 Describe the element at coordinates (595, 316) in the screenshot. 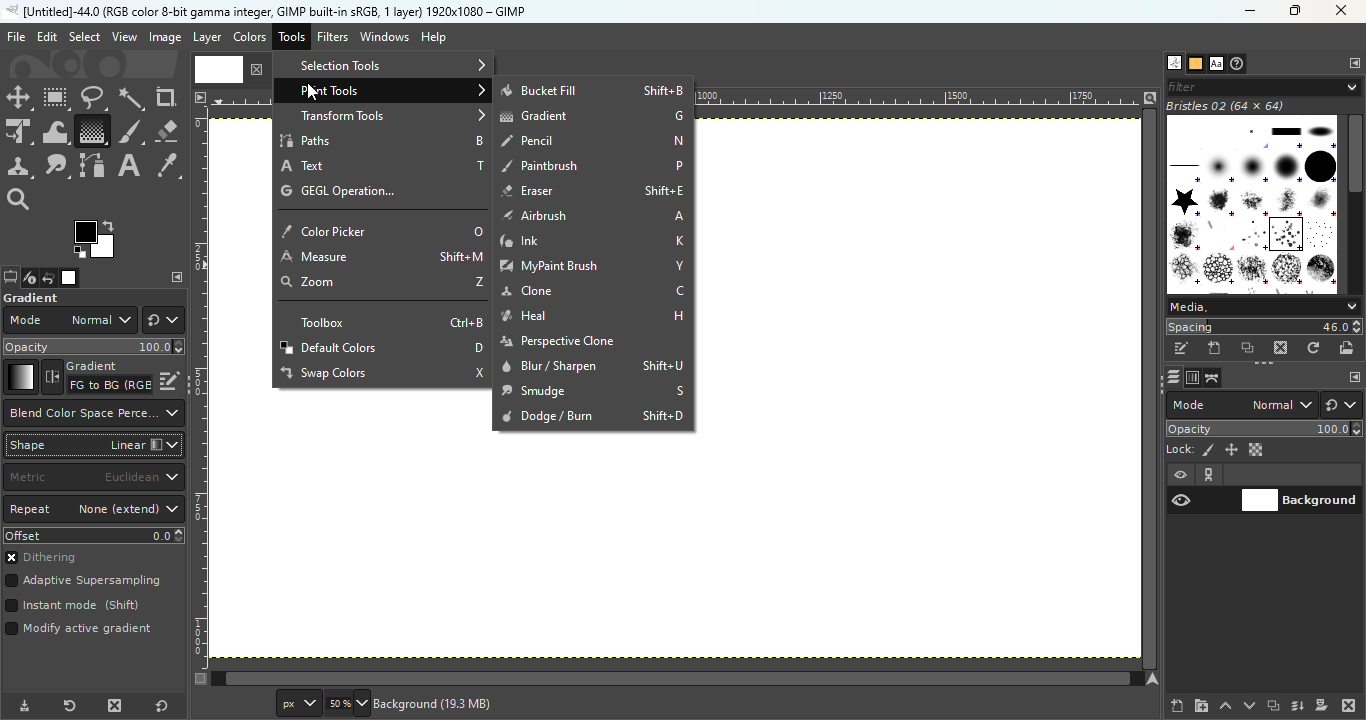

I see `Heal` at that location.